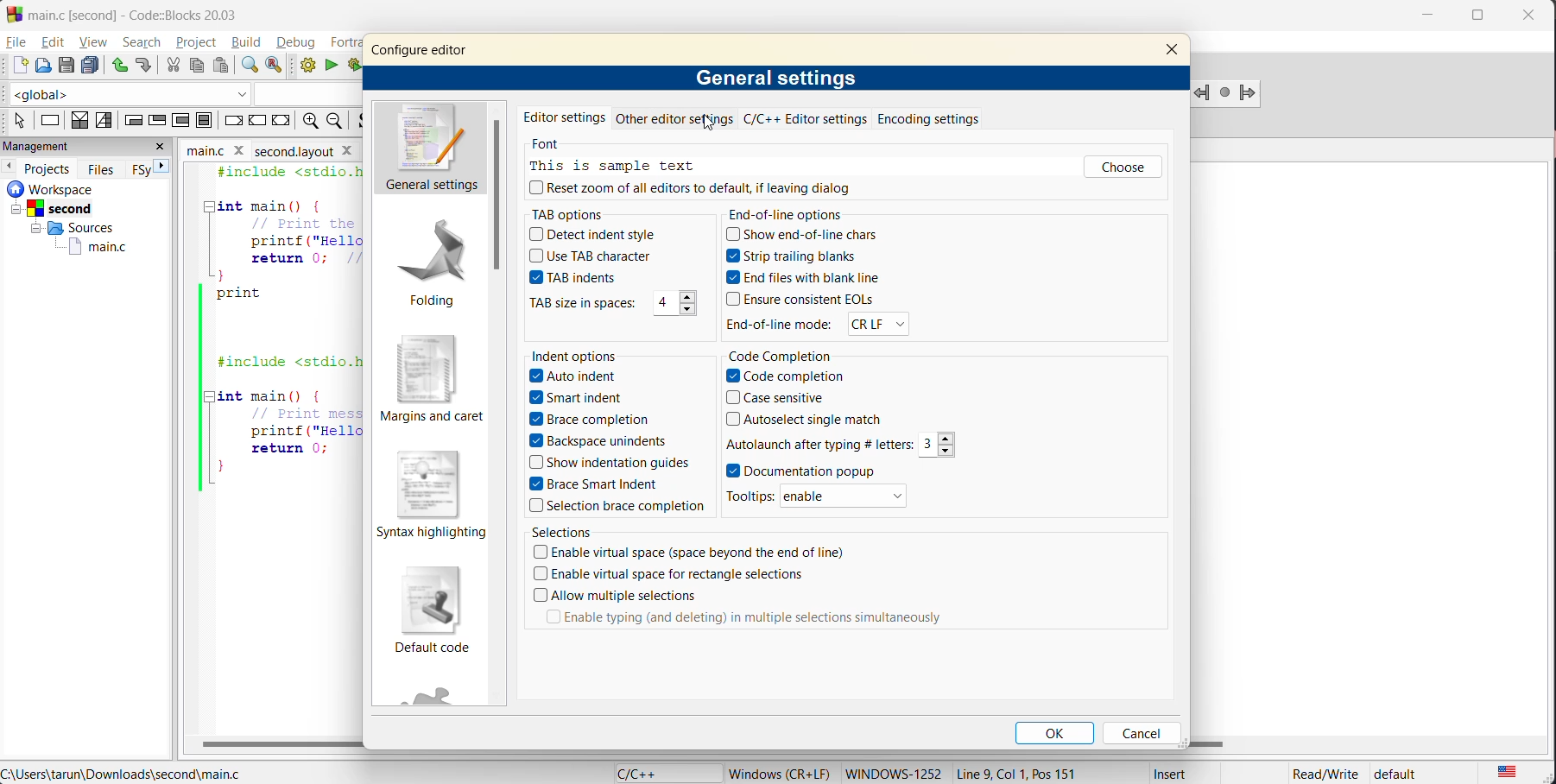 This screenshot has width=1556, height=784. What do you see at coordinates (683, 573) in the screenshot?
I see `Enable virtual space for rectangle selected` at bounding box center [683, 573].